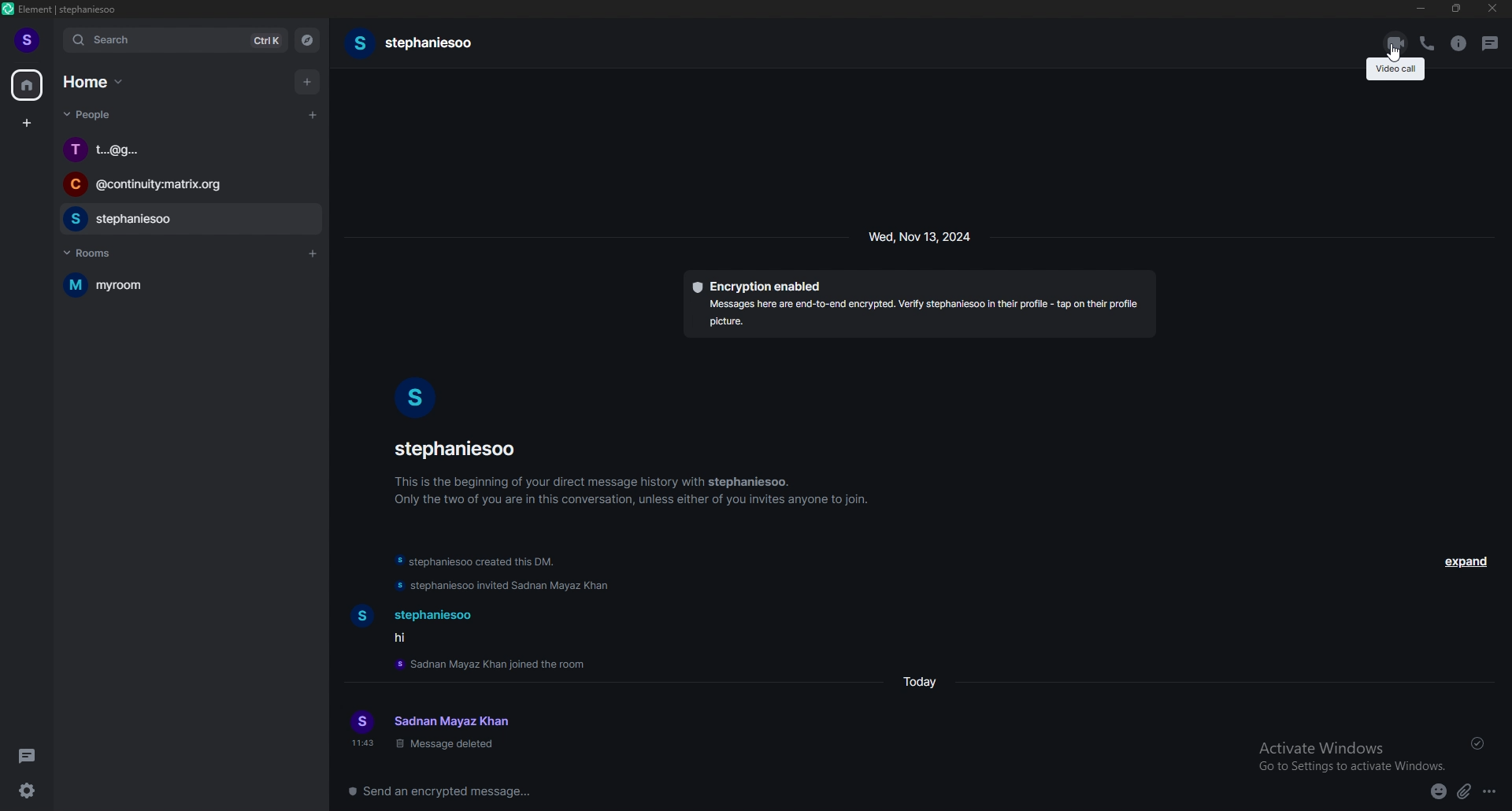 The width and height of the screenshot is (1512, 811). Describe the element at coordinates (498, 663) in the screenshot. I see `update` at that location.